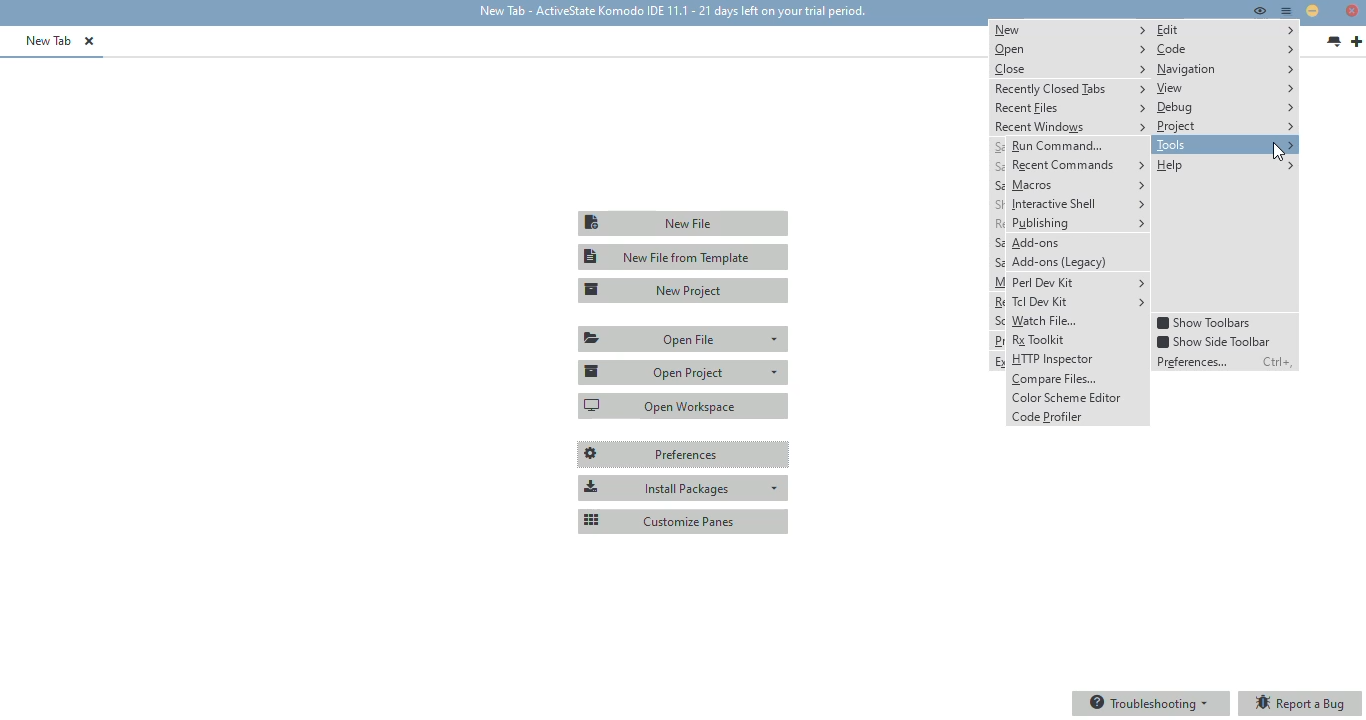  I want to click on cursor, so click(1279, 153).